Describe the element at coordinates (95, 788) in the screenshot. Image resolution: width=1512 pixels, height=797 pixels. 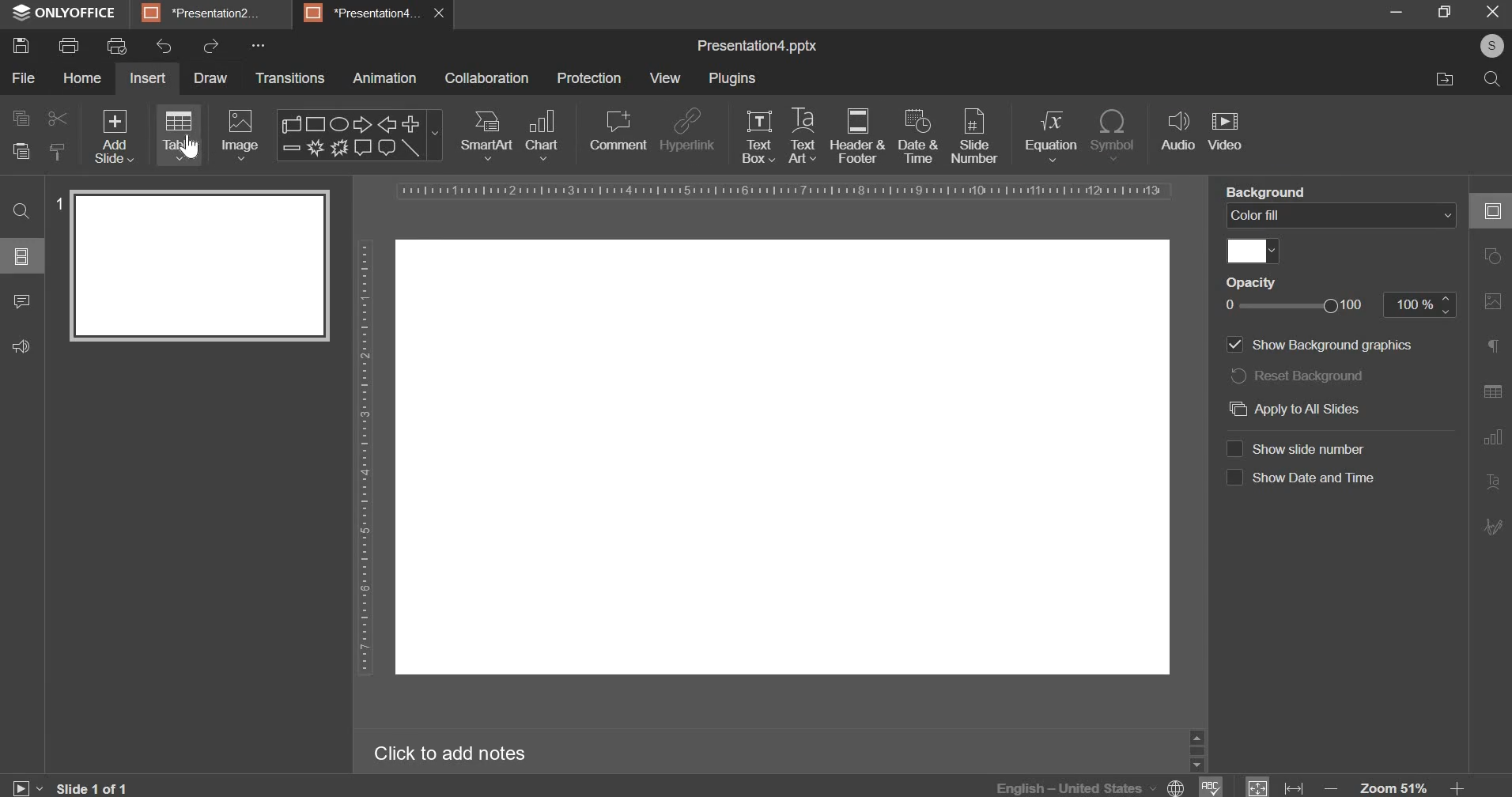
I see `slide 1 of 1` at that location.